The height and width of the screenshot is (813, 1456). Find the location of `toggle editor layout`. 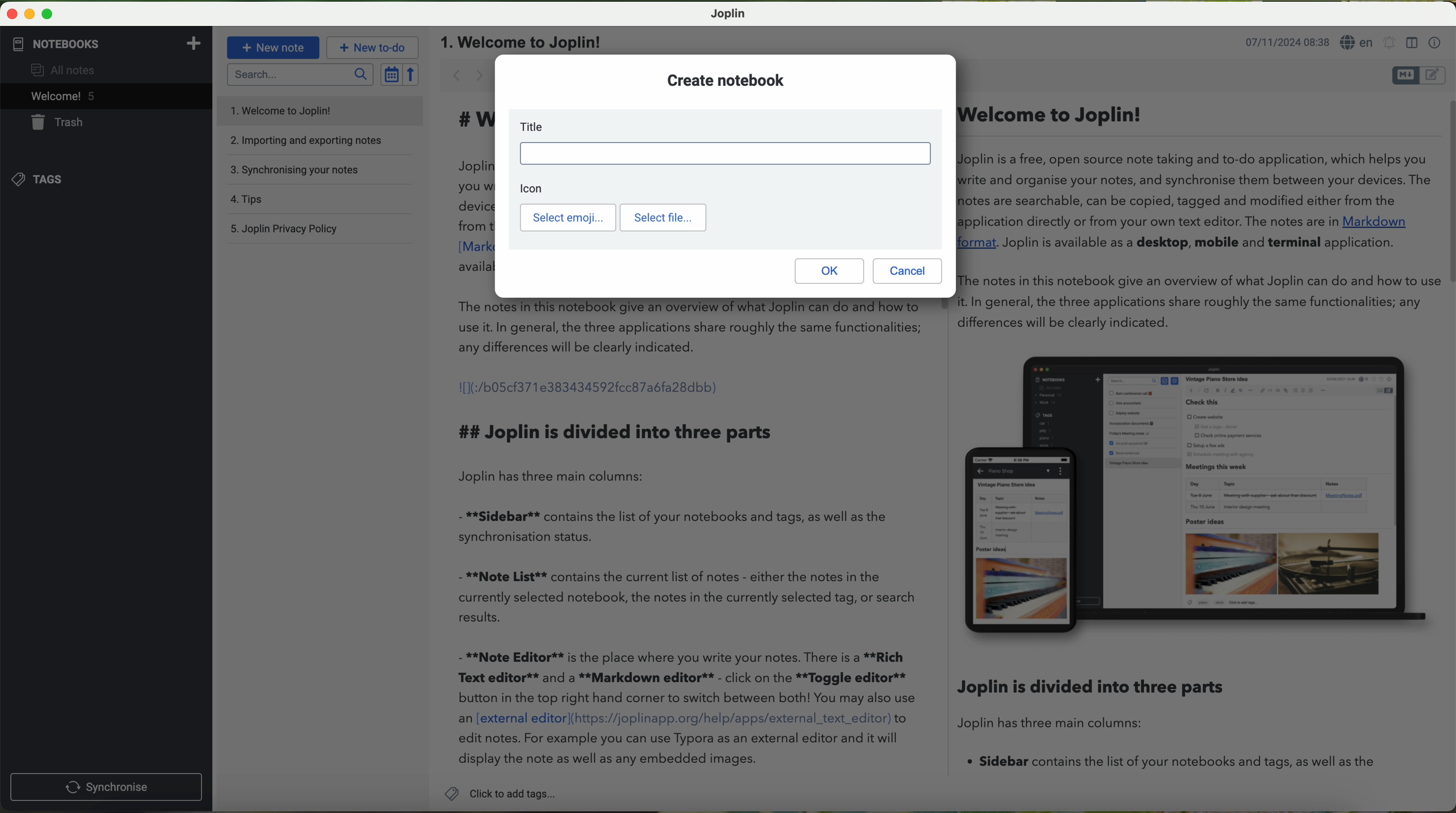

toggle editor layout is located at coordinates (1411, 43).